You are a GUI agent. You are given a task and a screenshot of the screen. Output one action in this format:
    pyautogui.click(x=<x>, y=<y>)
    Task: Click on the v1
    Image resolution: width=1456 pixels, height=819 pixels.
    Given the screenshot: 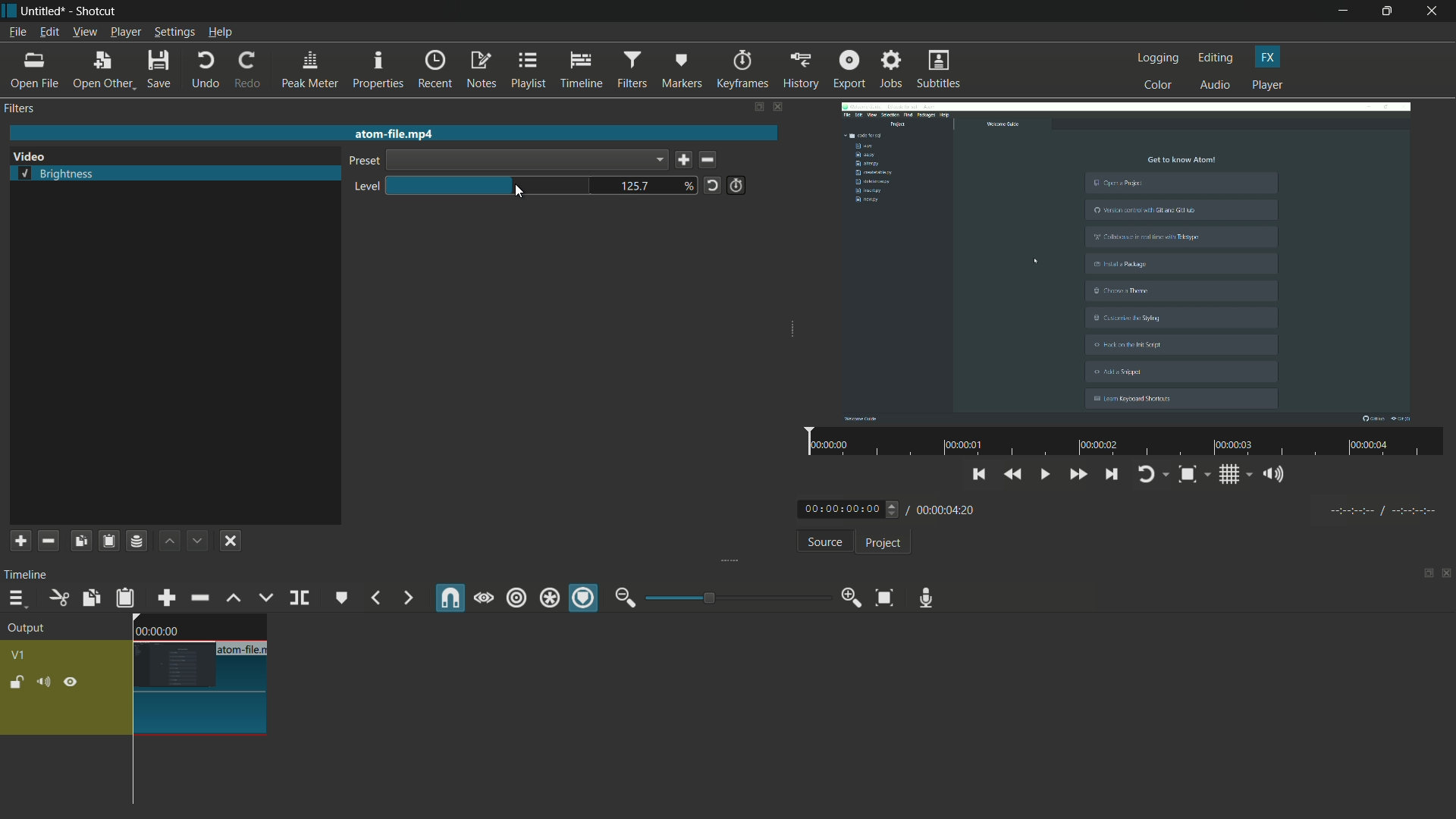 What is the action you would take?
    pyautogui.click(x=21, y=654)
    